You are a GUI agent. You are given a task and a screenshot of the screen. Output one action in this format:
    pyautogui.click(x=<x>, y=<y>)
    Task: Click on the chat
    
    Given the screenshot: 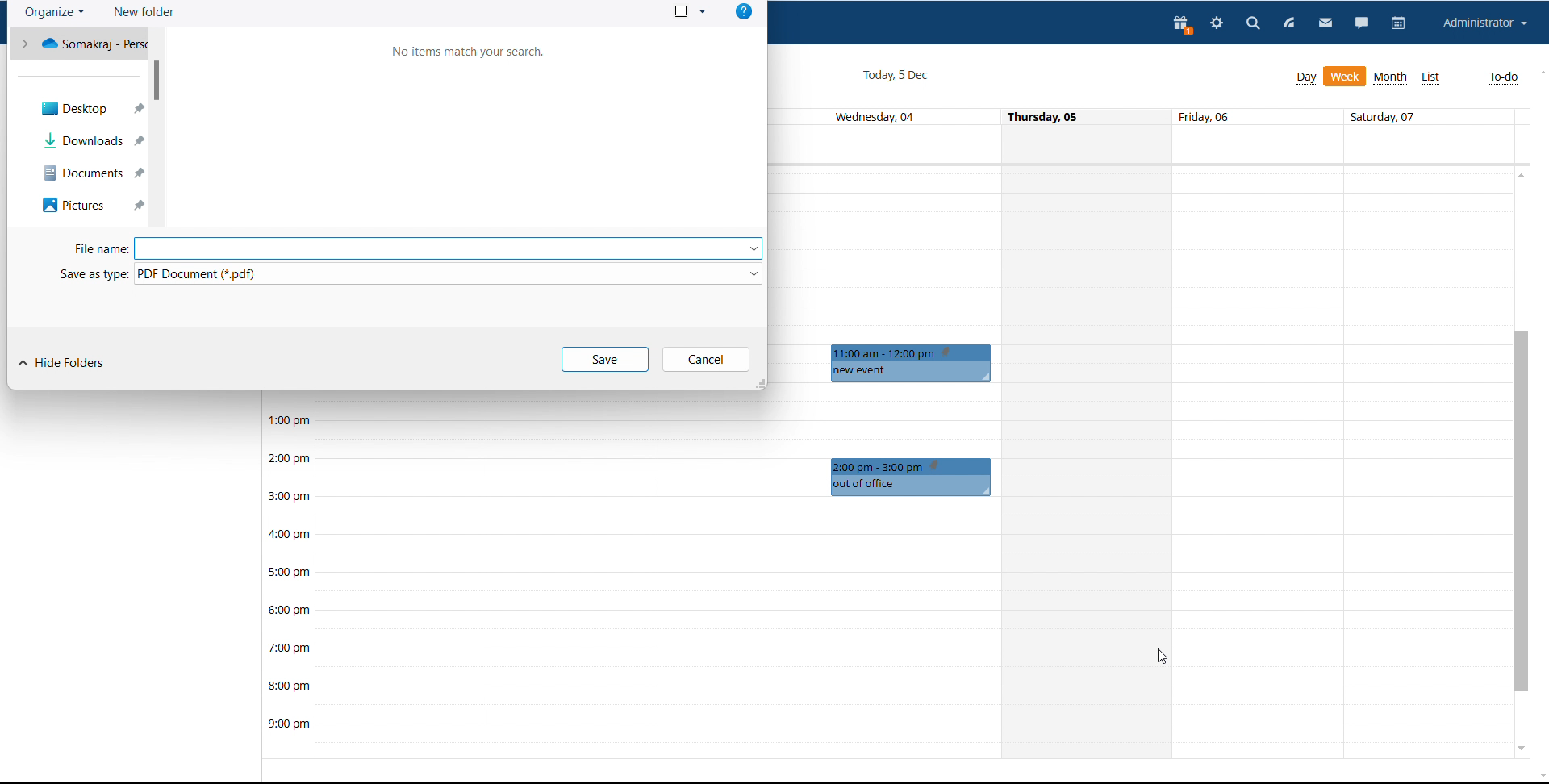 What is the action you would take?
    pyautogui.click(x=1362, y=25)
    